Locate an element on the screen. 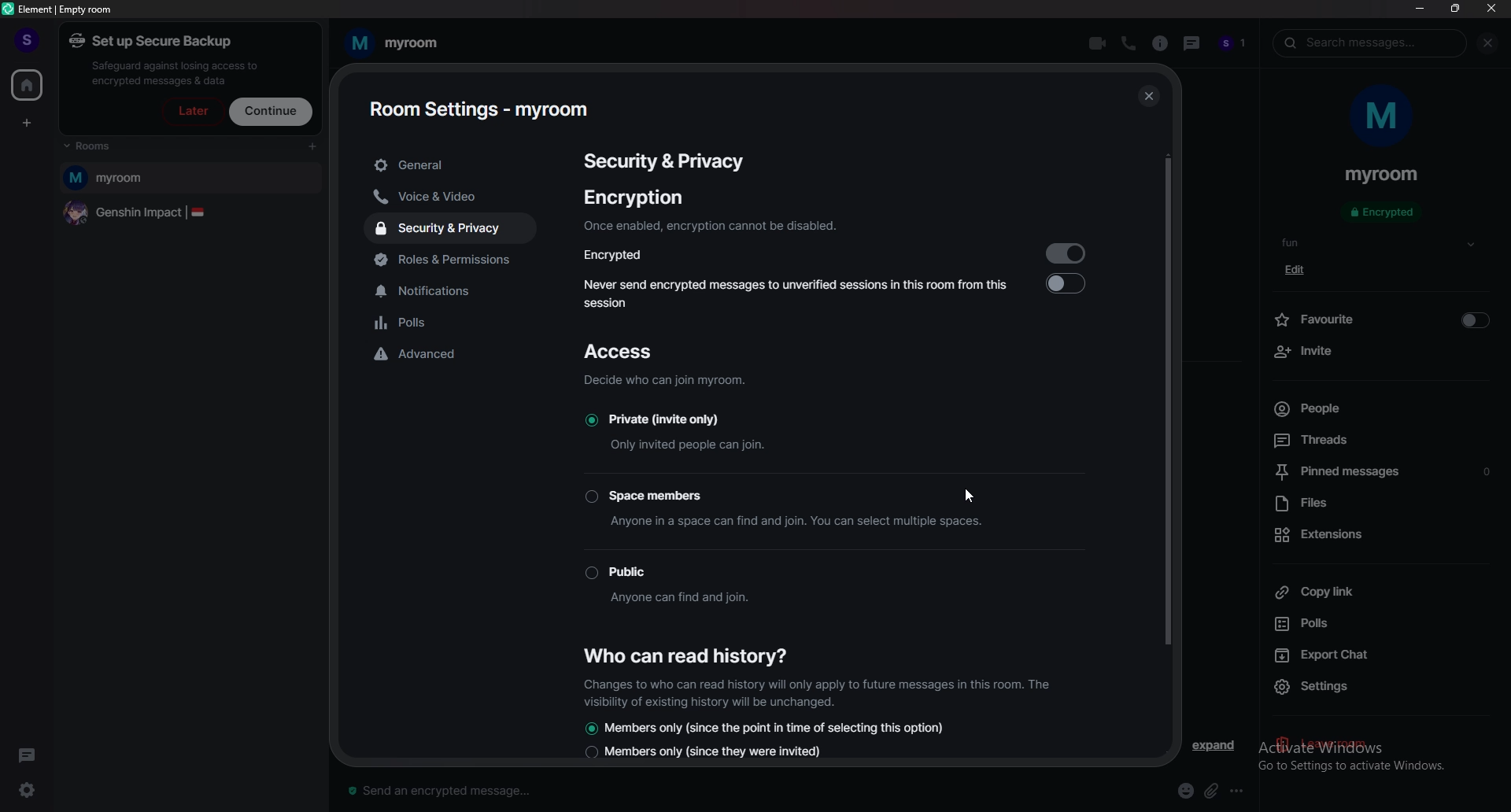 Image resolution: width=1511 pixels, height=812 pixels. people is located at coordinates (1236, 44).